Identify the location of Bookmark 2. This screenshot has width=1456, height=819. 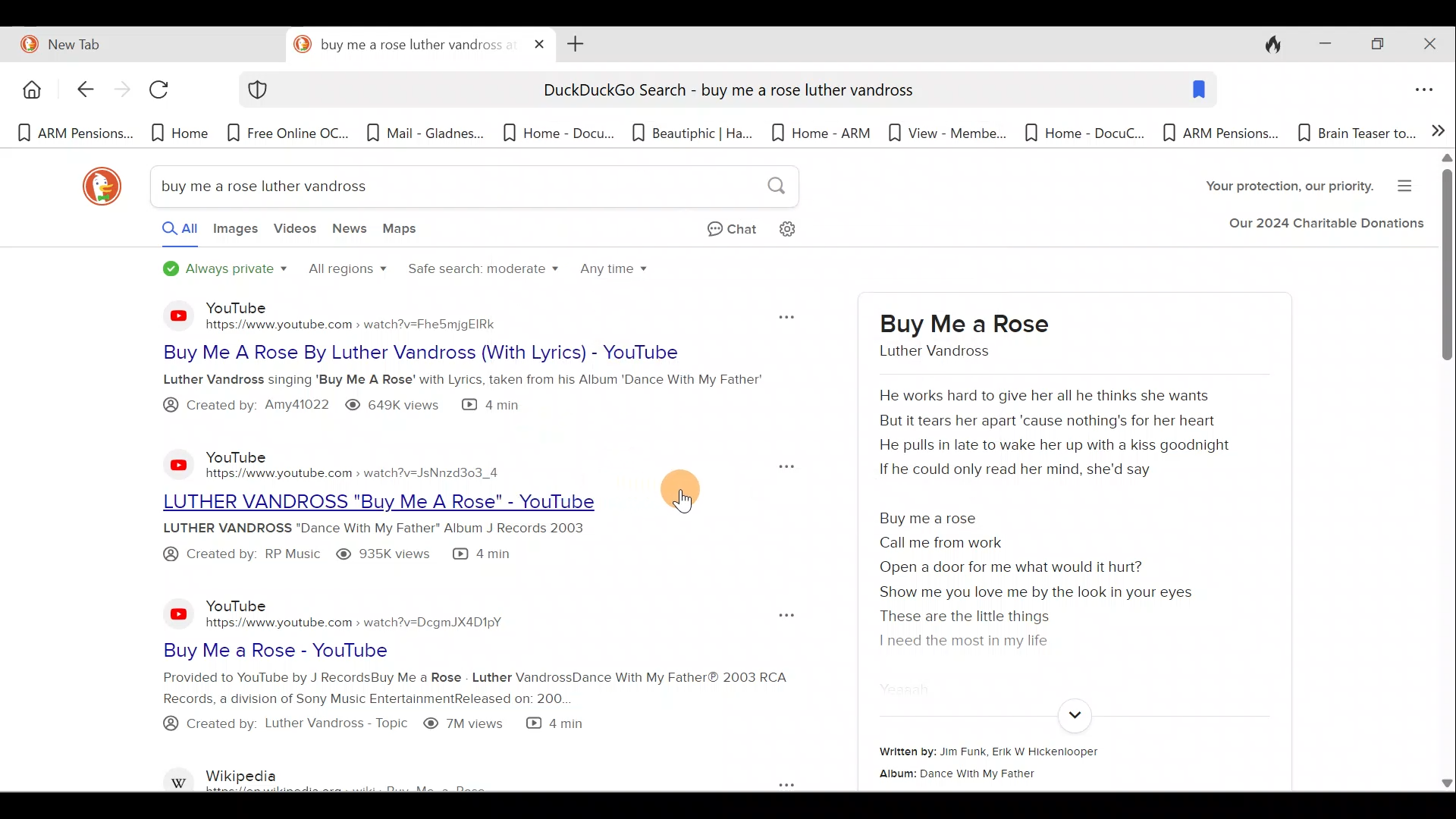
(180, 133).